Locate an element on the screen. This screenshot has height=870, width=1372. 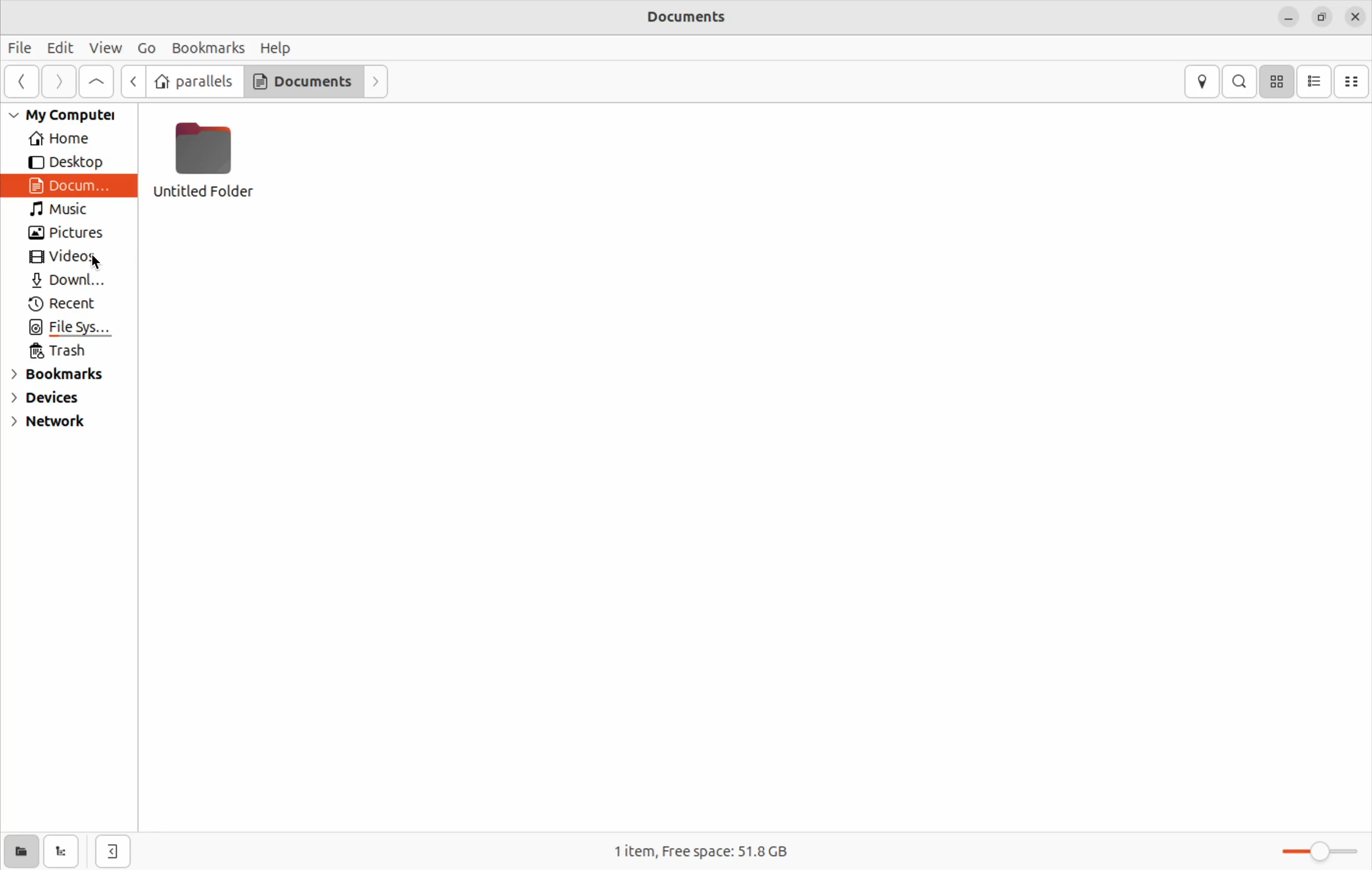
View is located at coordinates (108, 46).